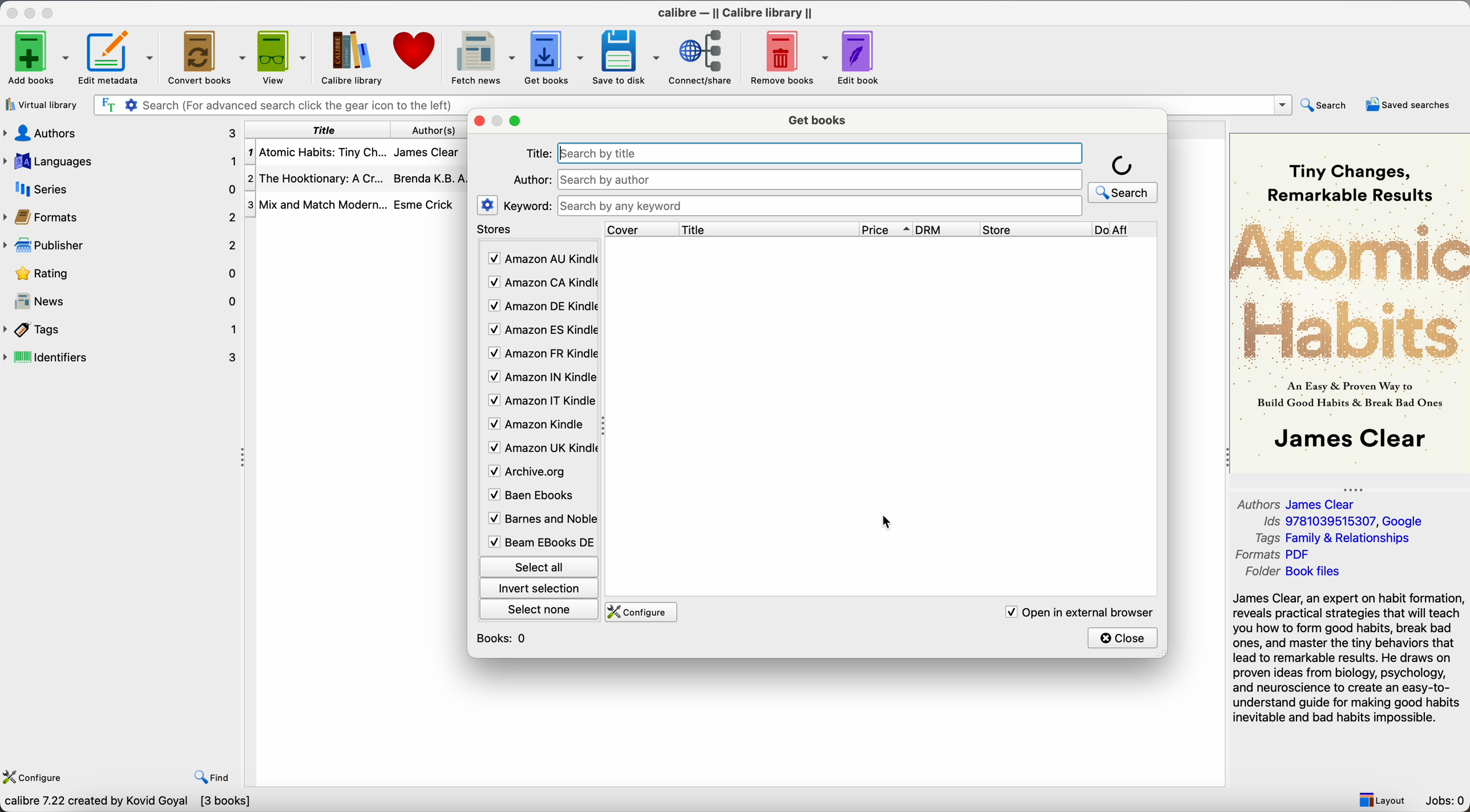  I want to click on search, so click(1324, 105).